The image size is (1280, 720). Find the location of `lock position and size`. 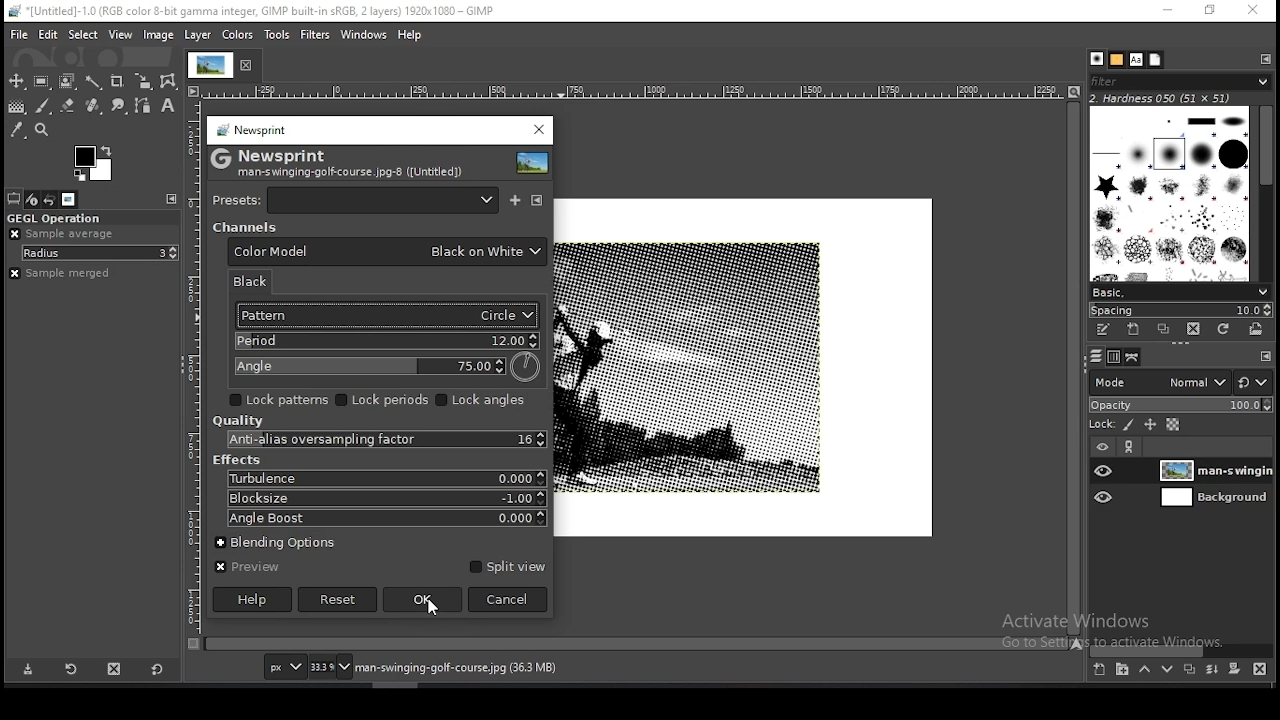

lock position and size is located at coordinates (1149, 426).